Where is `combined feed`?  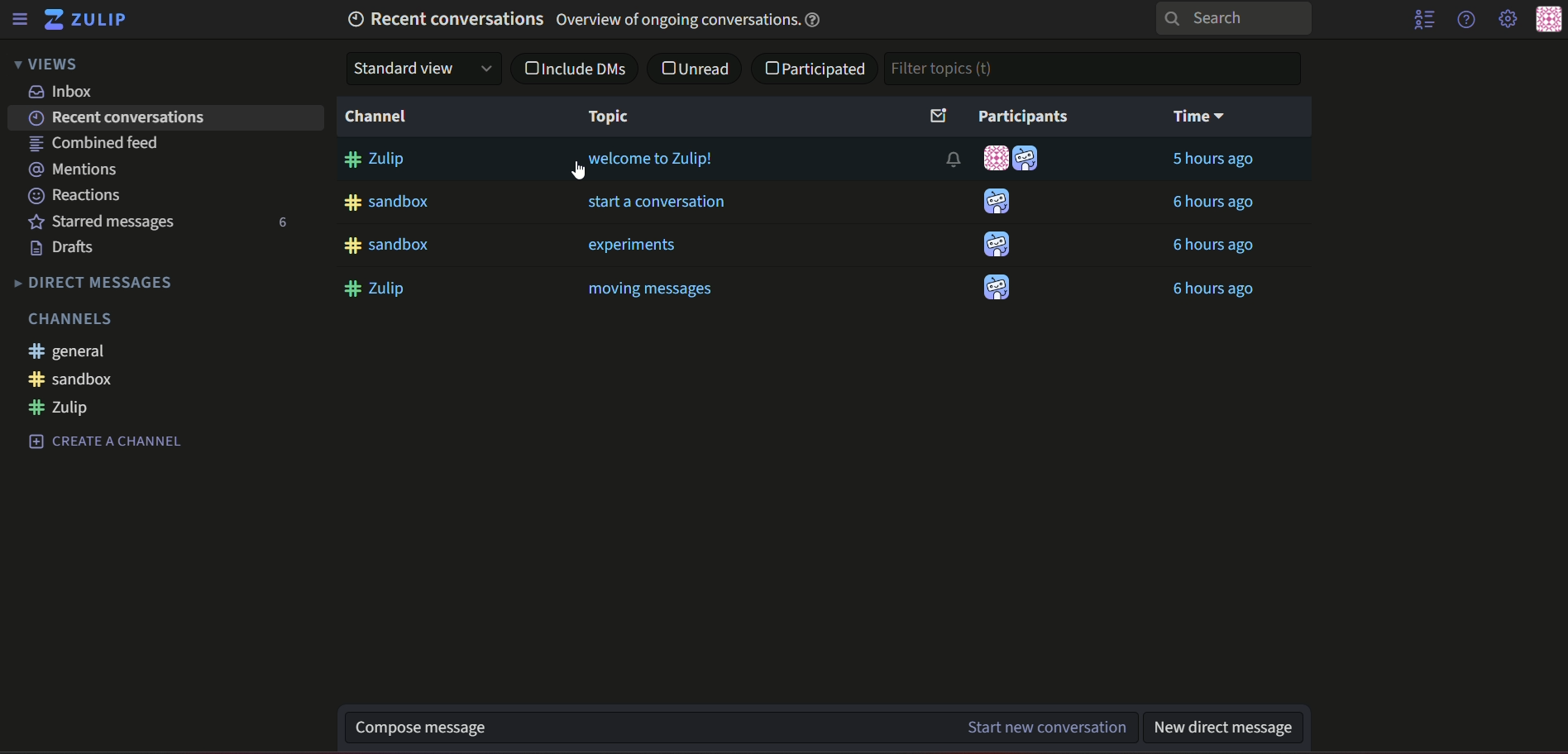
combined feed is located at coordinates (95, 143).